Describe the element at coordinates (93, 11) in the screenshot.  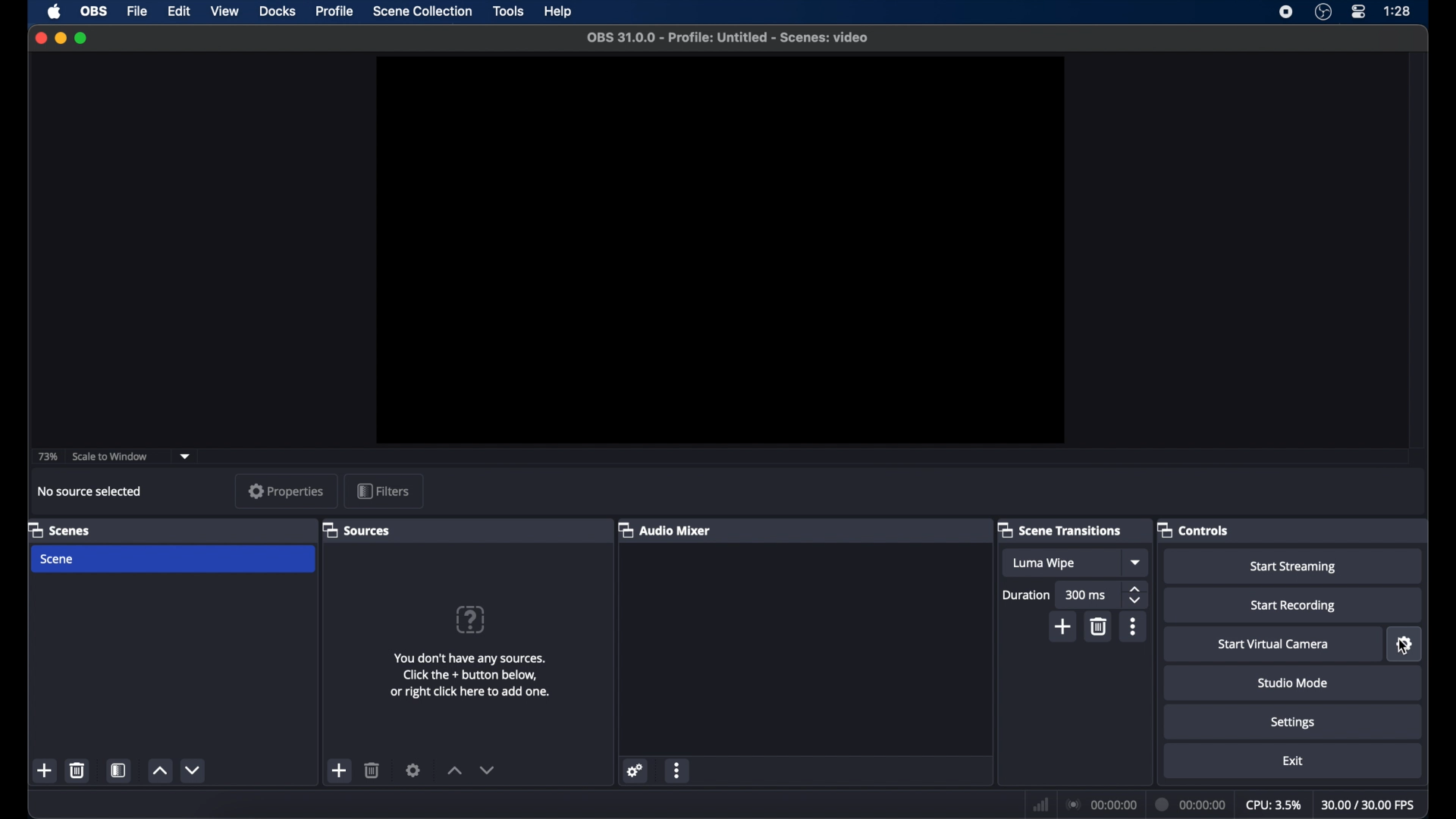
I see `obs` at that location.